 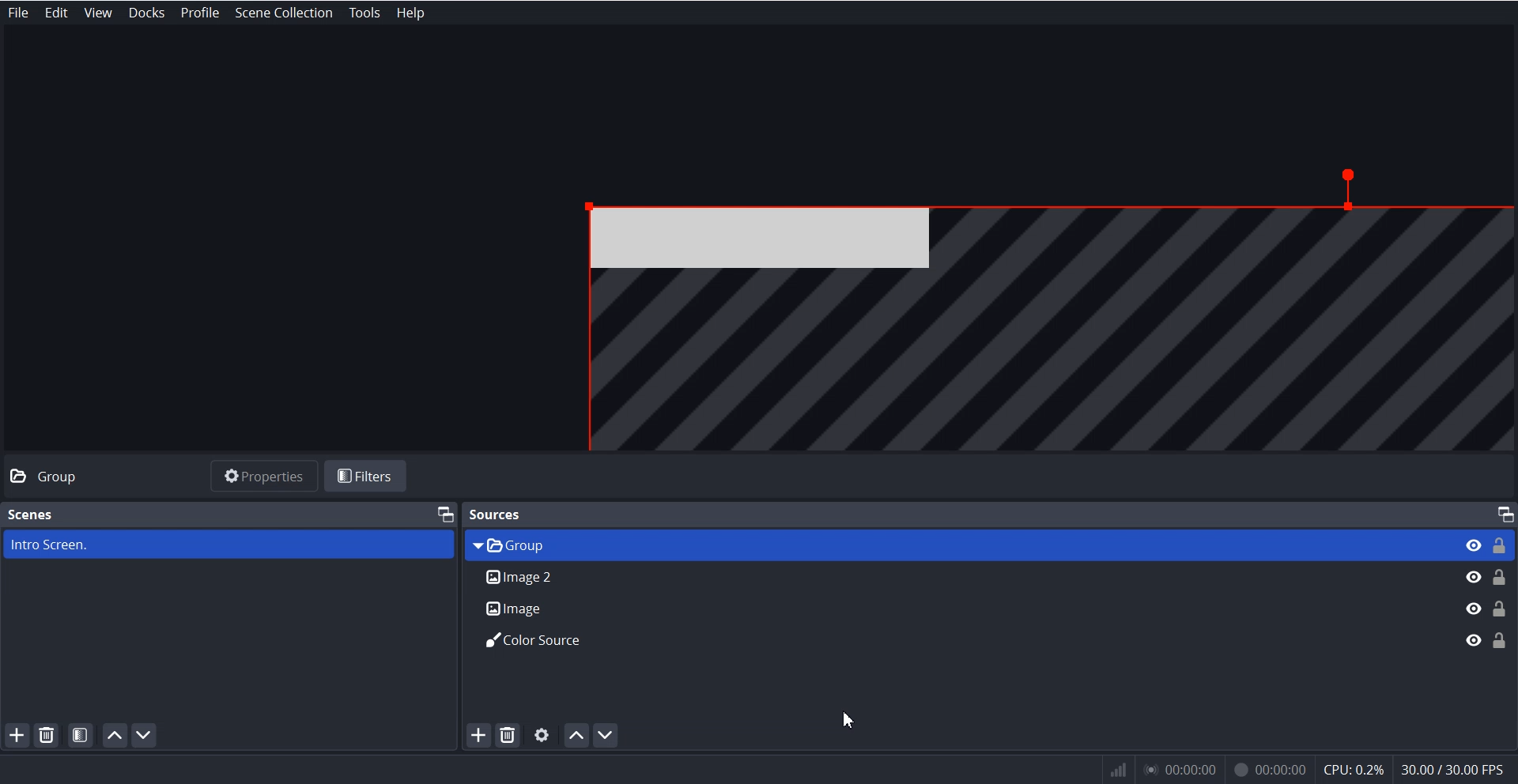 I want to click on 00:00:00, so click(x=1269, y=767).